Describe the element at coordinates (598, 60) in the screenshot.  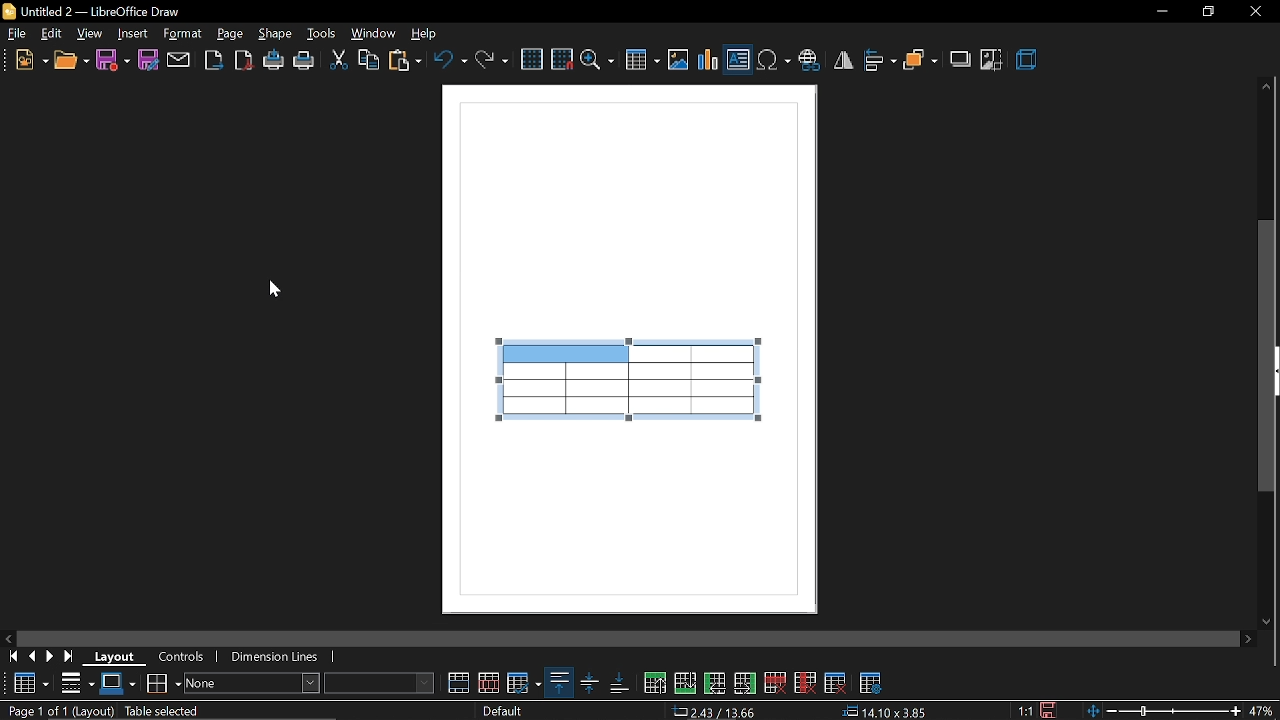
I see `zoom` at that location.